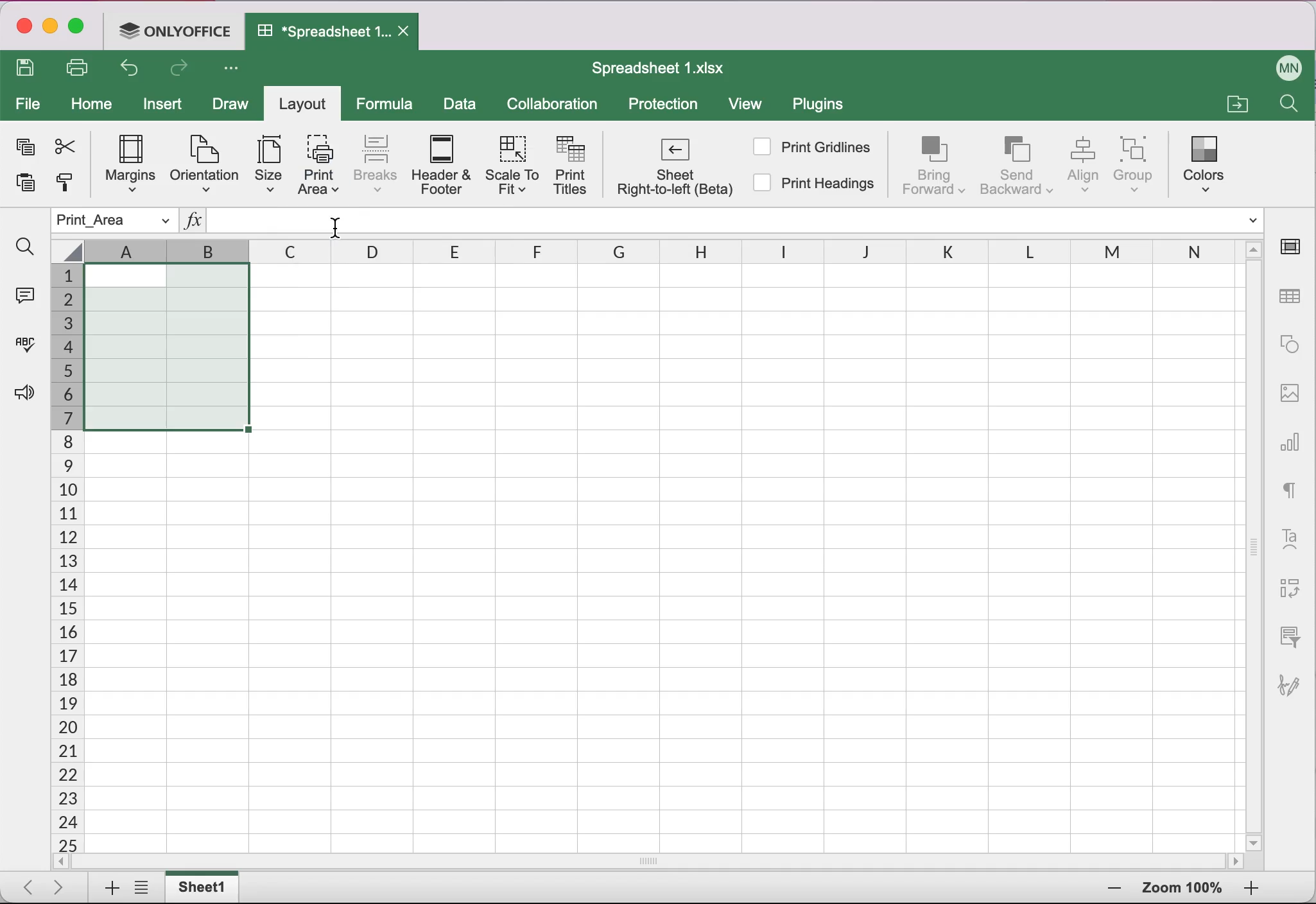  What do you see at coordinates (178, 30) in the screenshot?
I see `ONLYOFFICE` at bounding box center [178, 30].